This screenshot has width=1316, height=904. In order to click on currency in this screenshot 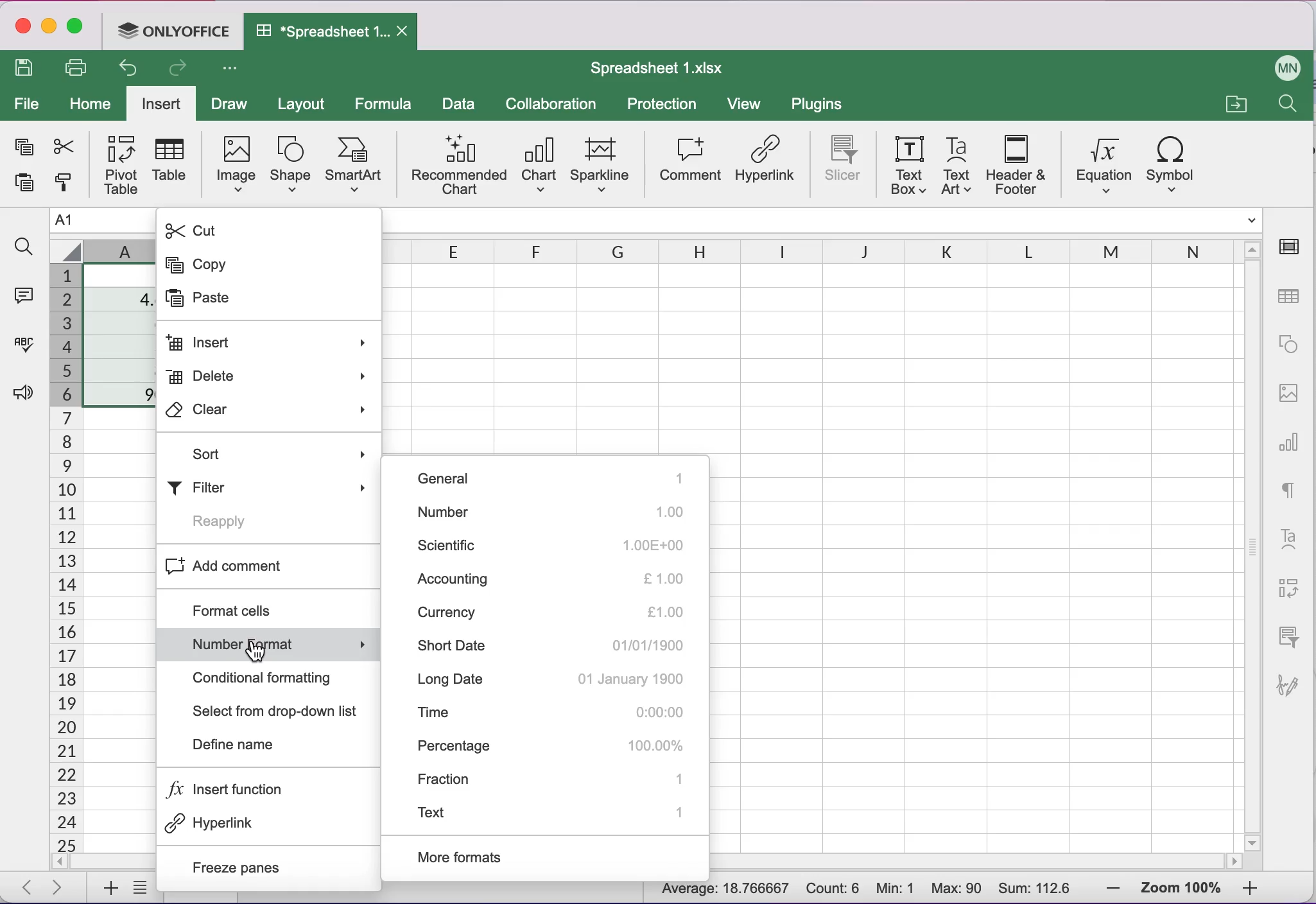, I will do `click(547, 612)`.